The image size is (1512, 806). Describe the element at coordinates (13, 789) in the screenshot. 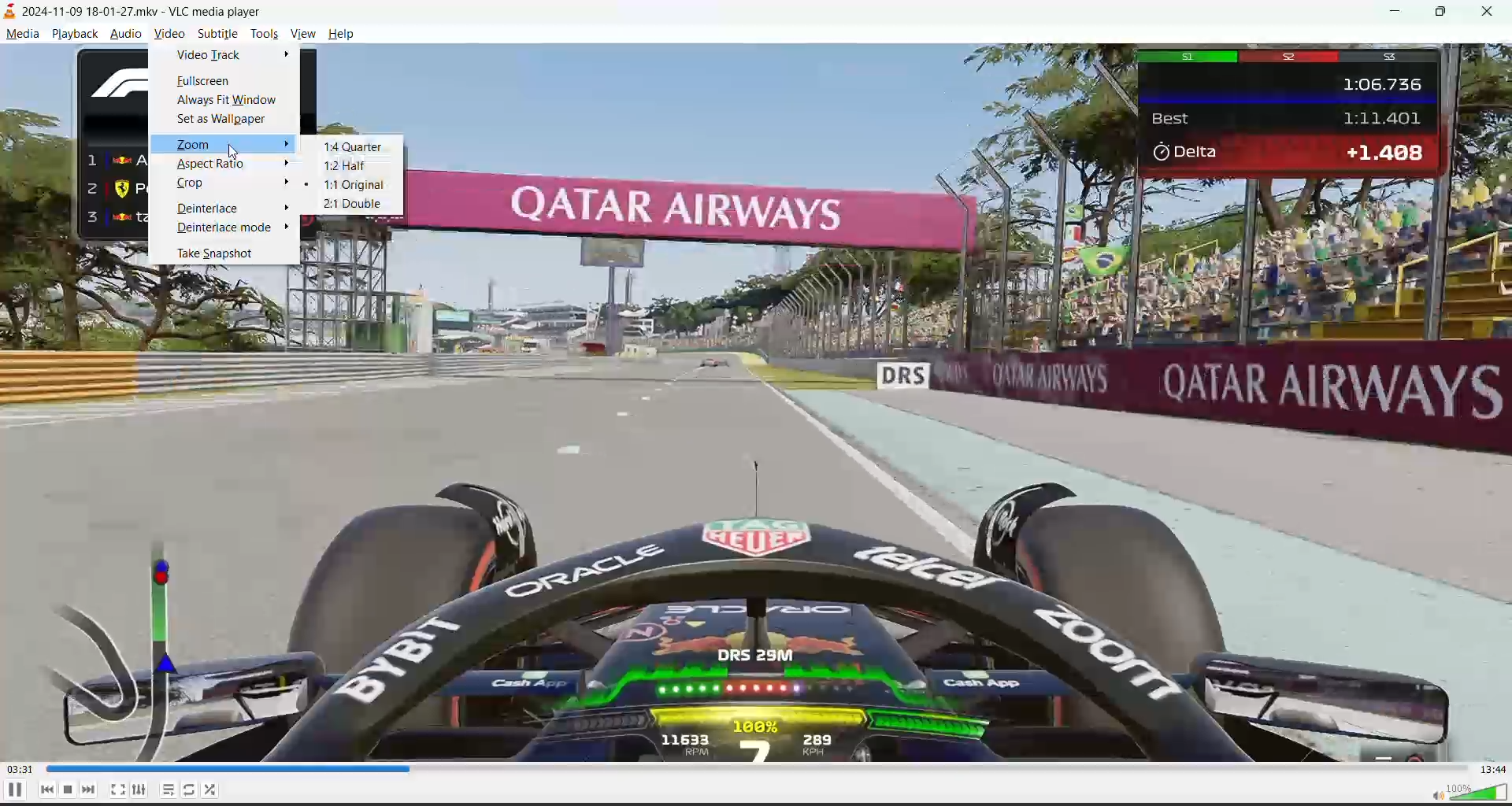

I see `pause` at that location.